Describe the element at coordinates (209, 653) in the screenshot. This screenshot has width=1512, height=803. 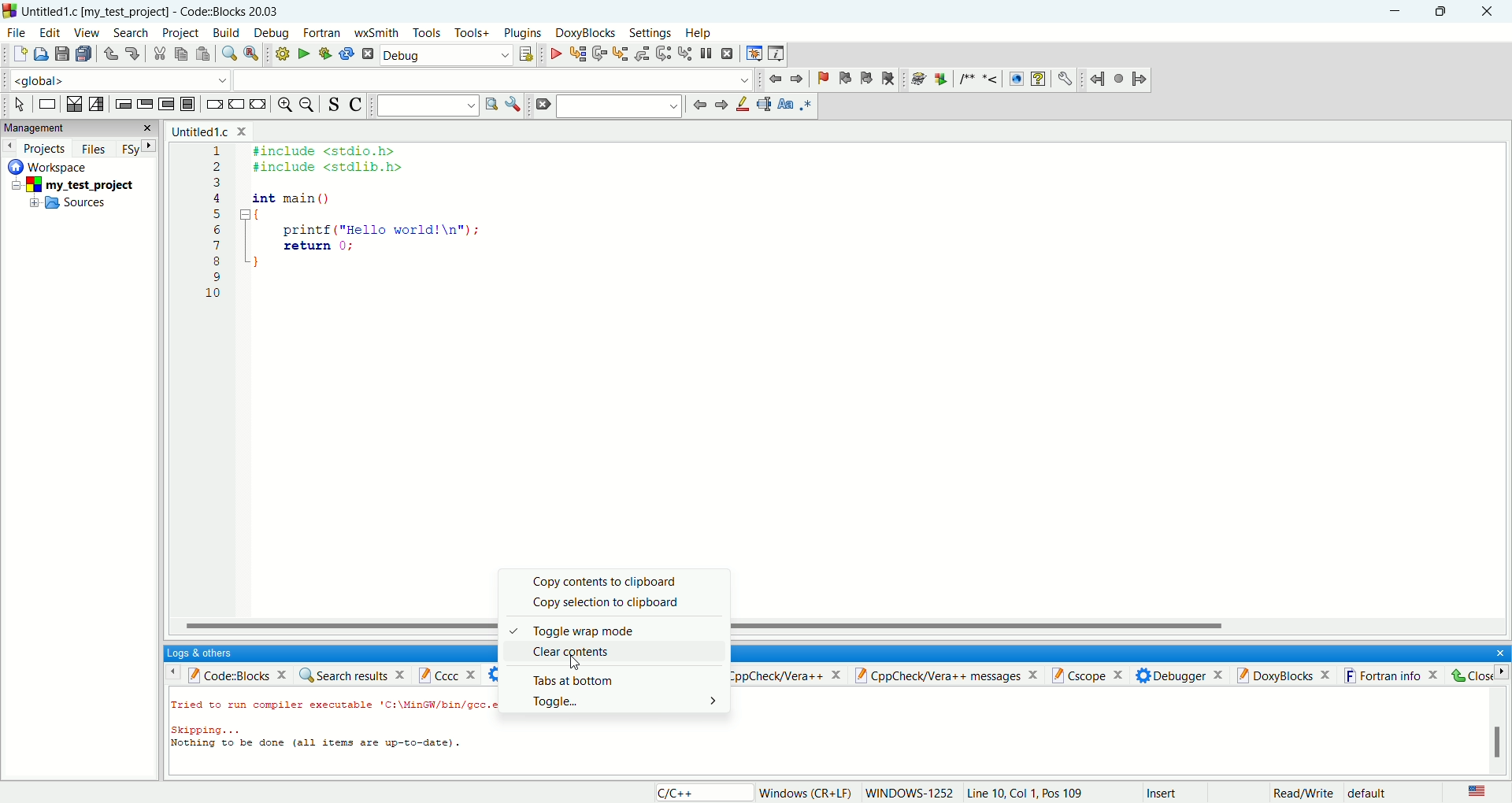
I see `logs and others` at that location.